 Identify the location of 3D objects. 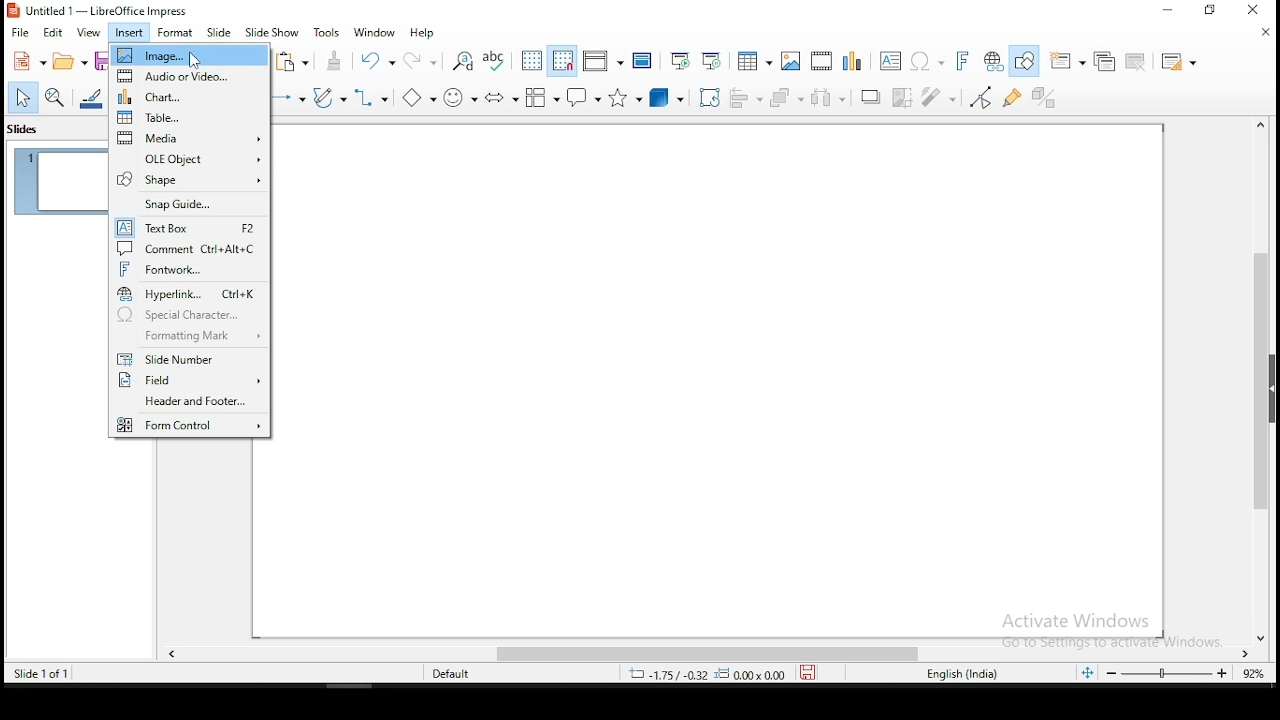
(667, 95).